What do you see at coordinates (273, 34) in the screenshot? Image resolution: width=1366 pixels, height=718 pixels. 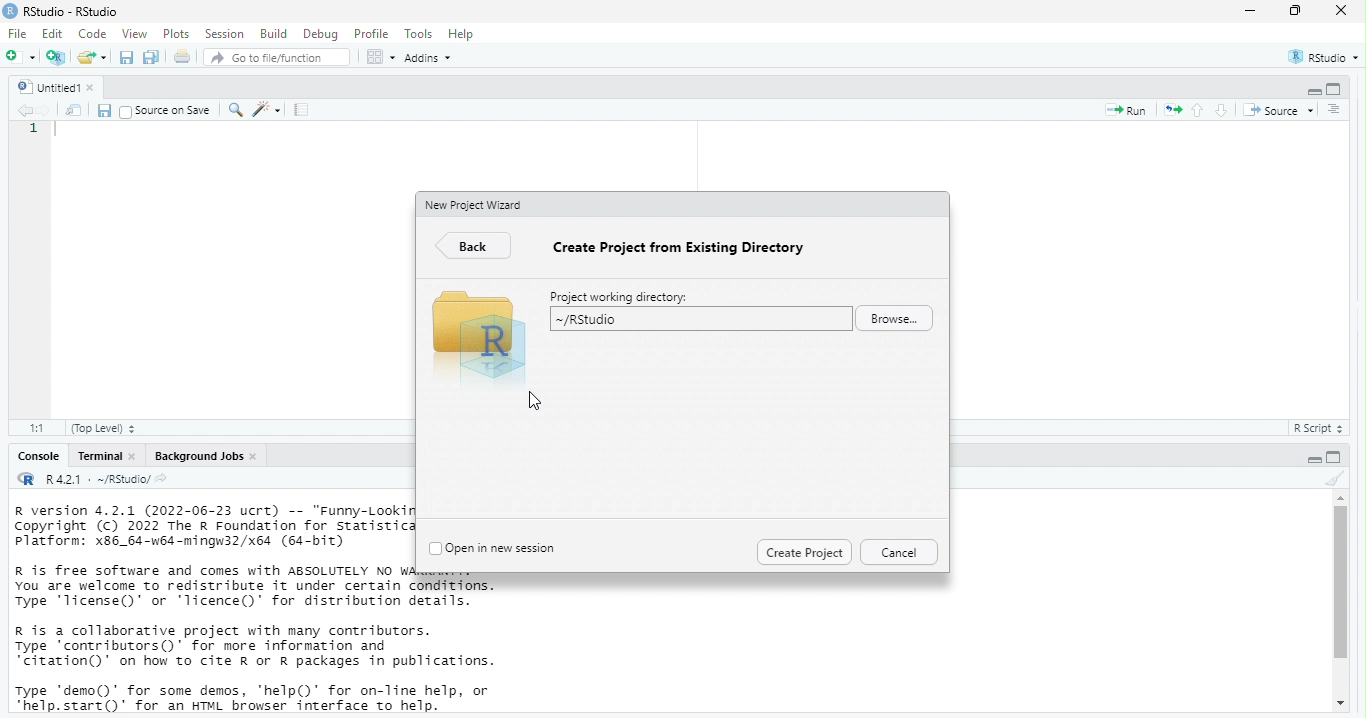 I see `build` at bounding box center [273, 34].